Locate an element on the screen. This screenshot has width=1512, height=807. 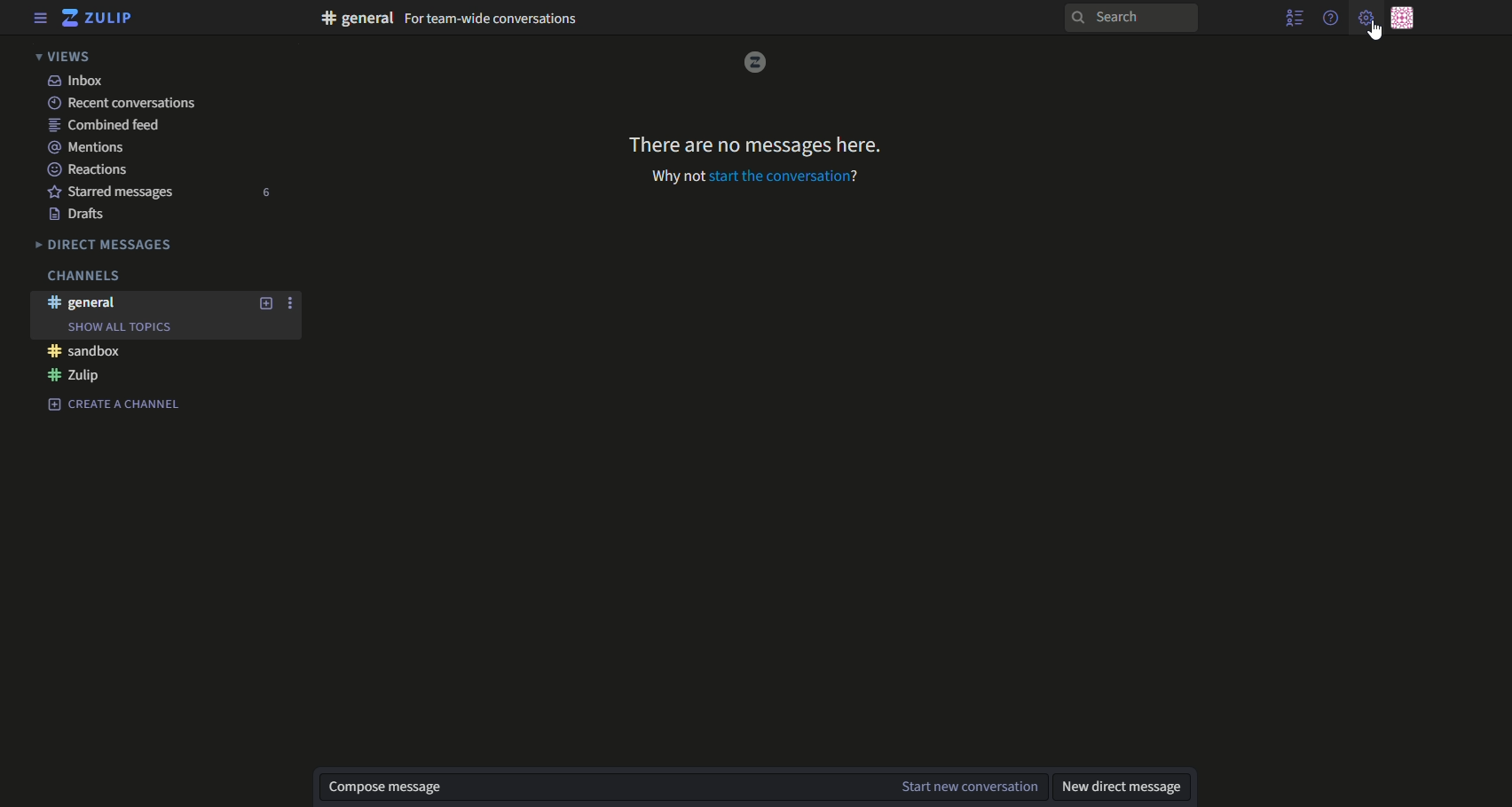
Create a channel is located at coordinates (114, 403).